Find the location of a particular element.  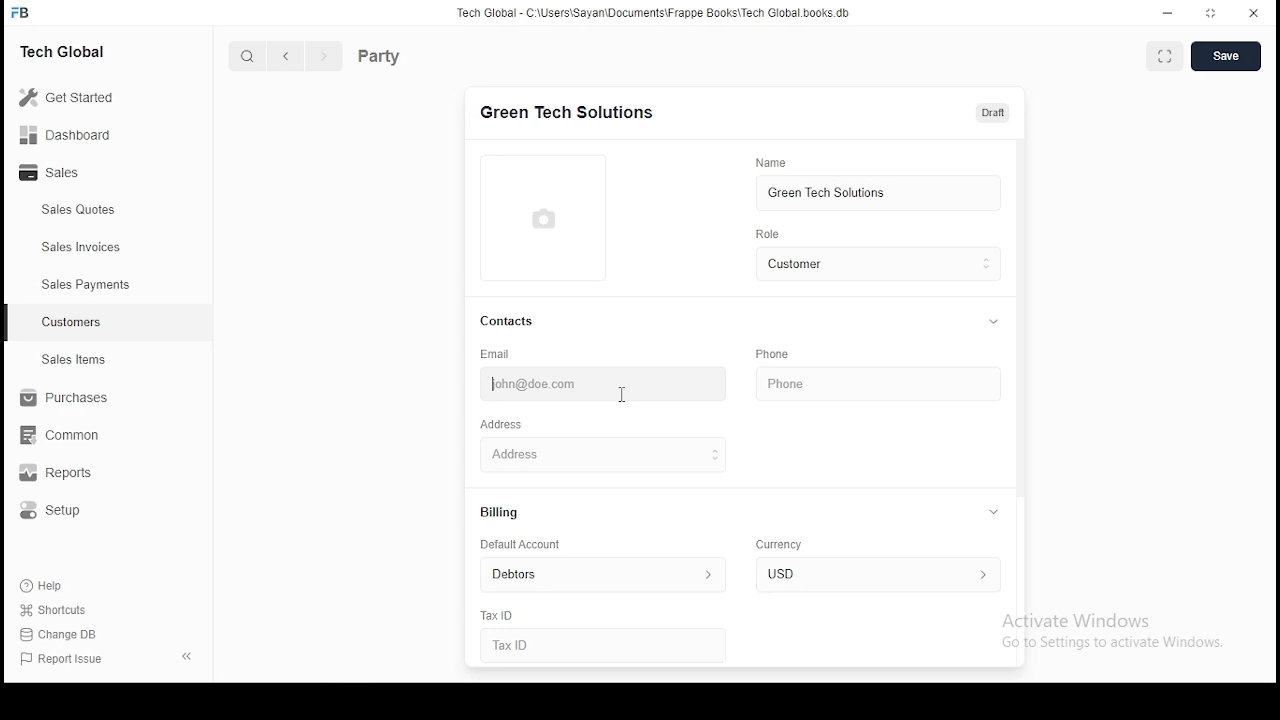

inr is located at coordinates (873, 575).